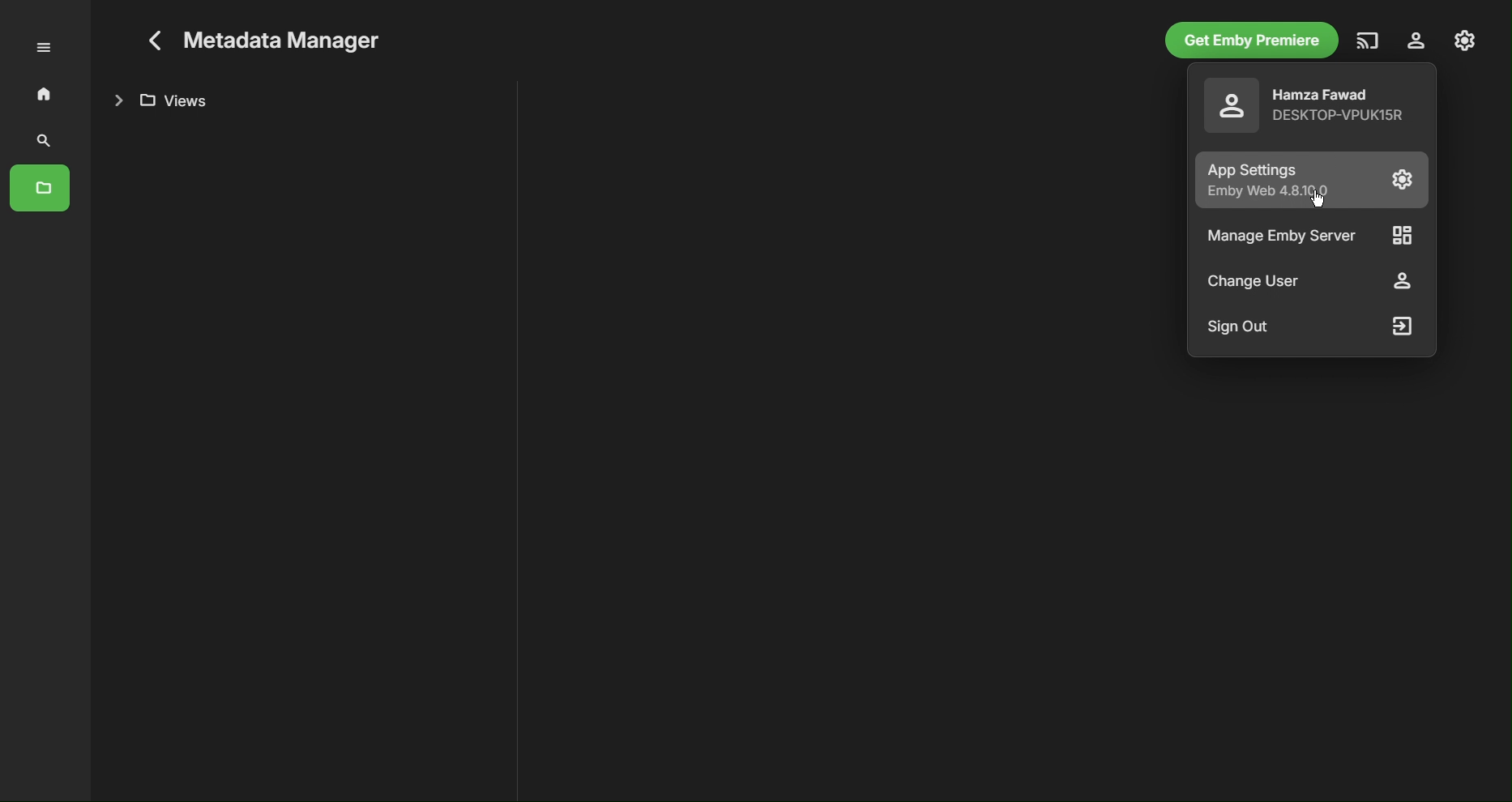  I want to click on Get Emby Premiere, so click(1249, 41).